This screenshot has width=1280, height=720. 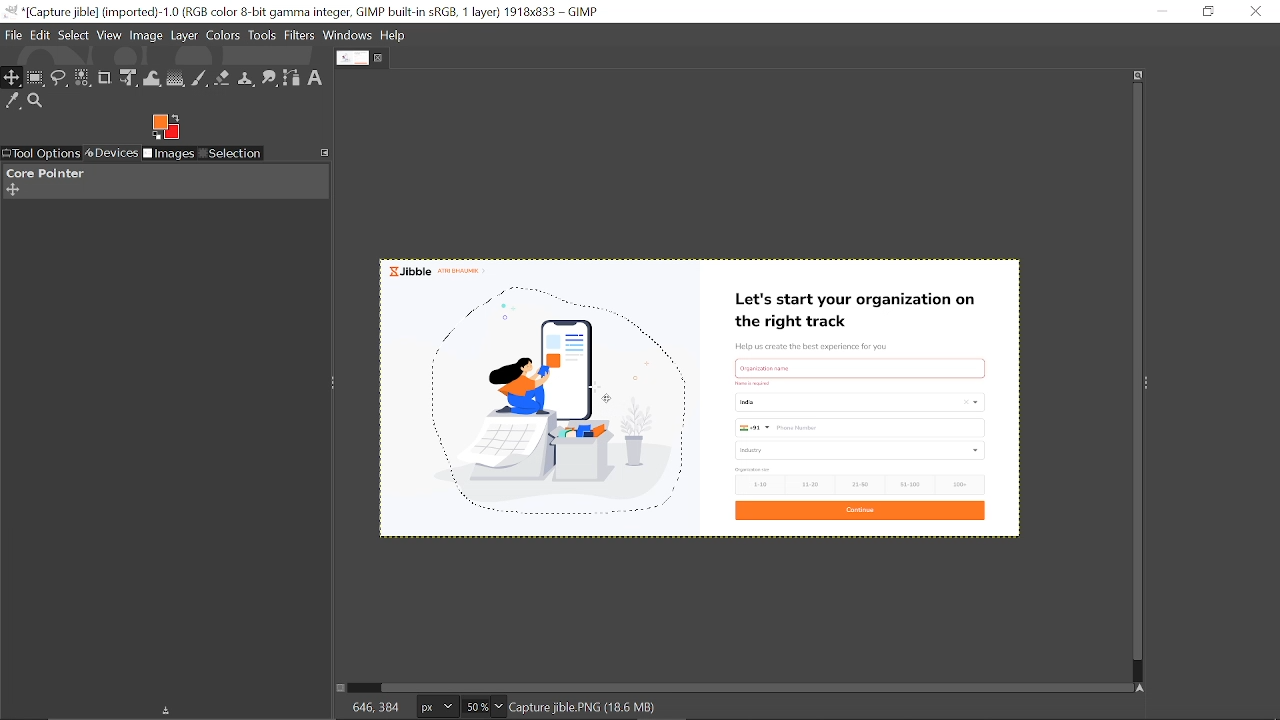 I want to click on Layer, so click(x=184, y=37).